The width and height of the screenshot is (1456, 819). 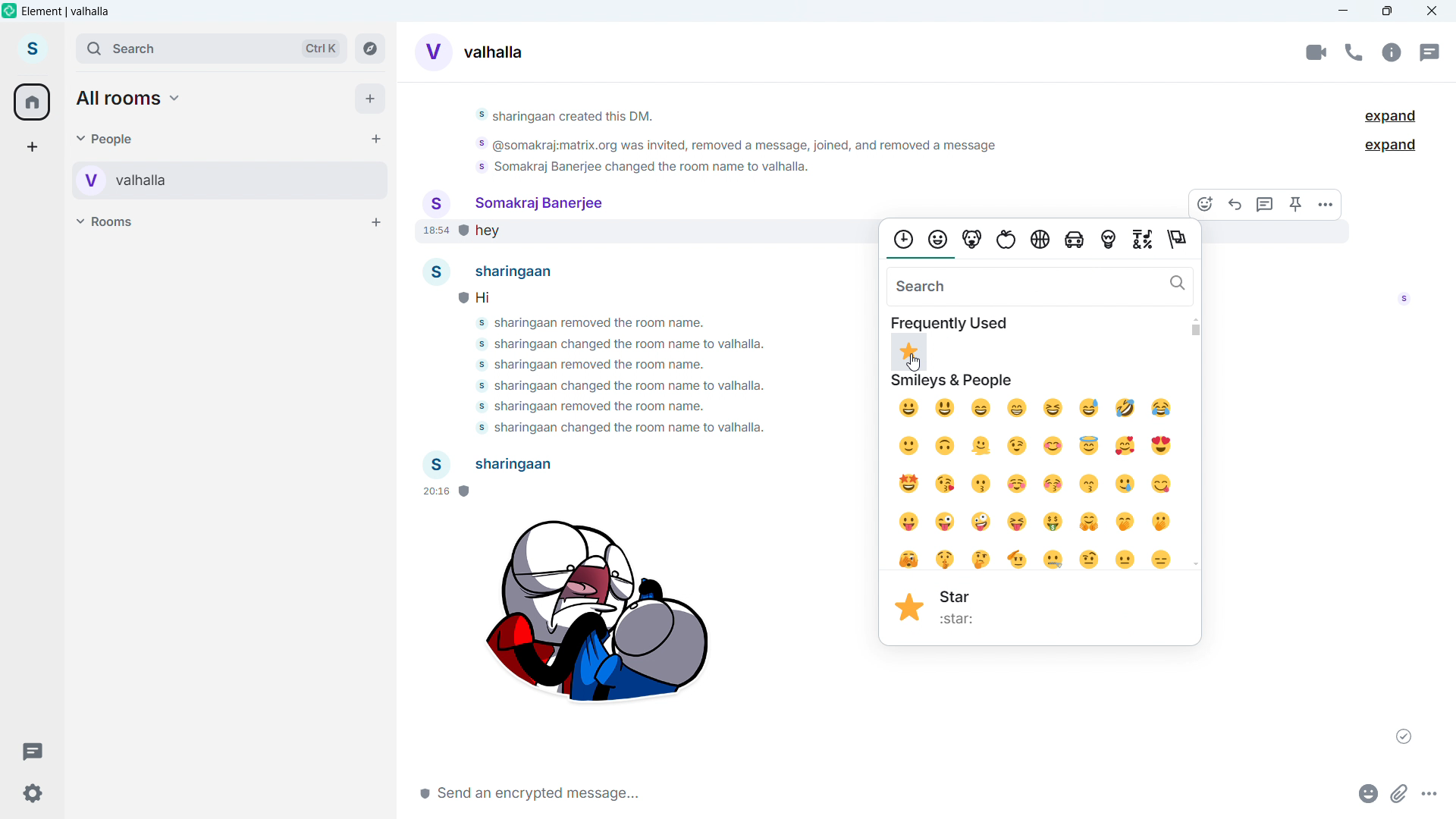 I want to click on Scroll up, so click(x=1196, y=318).